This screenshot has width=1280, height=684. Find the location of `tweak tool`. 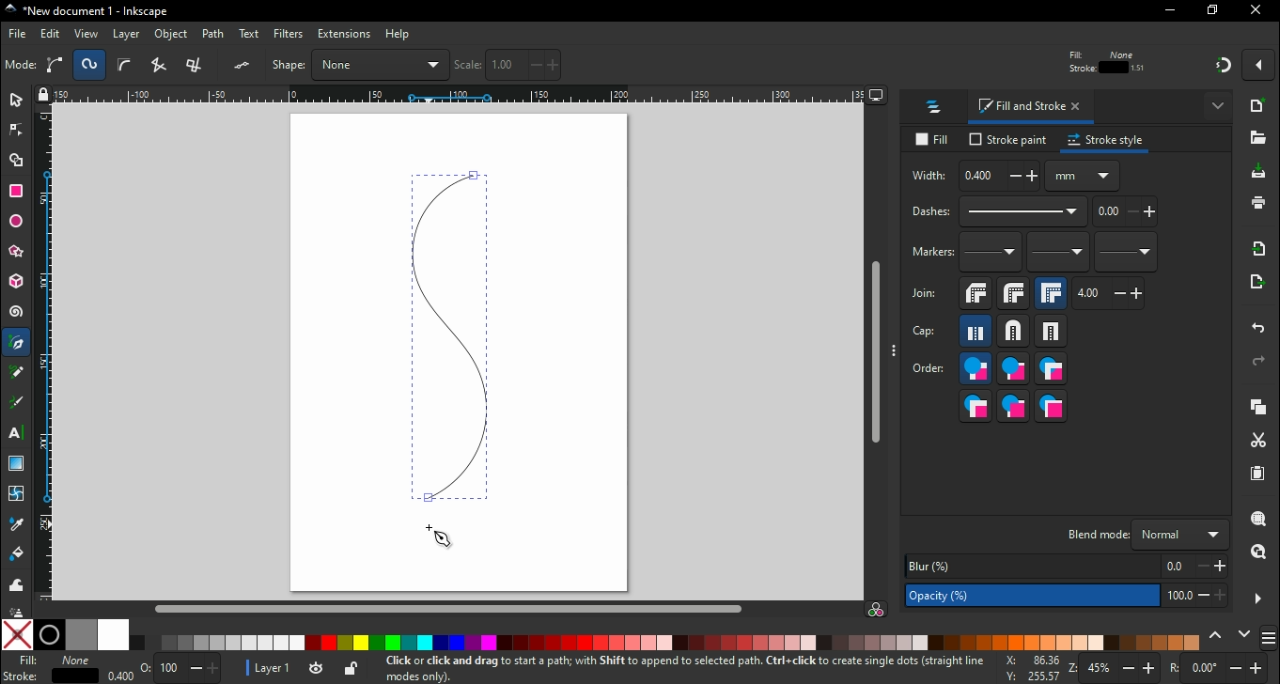

tweak tool is located at coordinates (16, 583).